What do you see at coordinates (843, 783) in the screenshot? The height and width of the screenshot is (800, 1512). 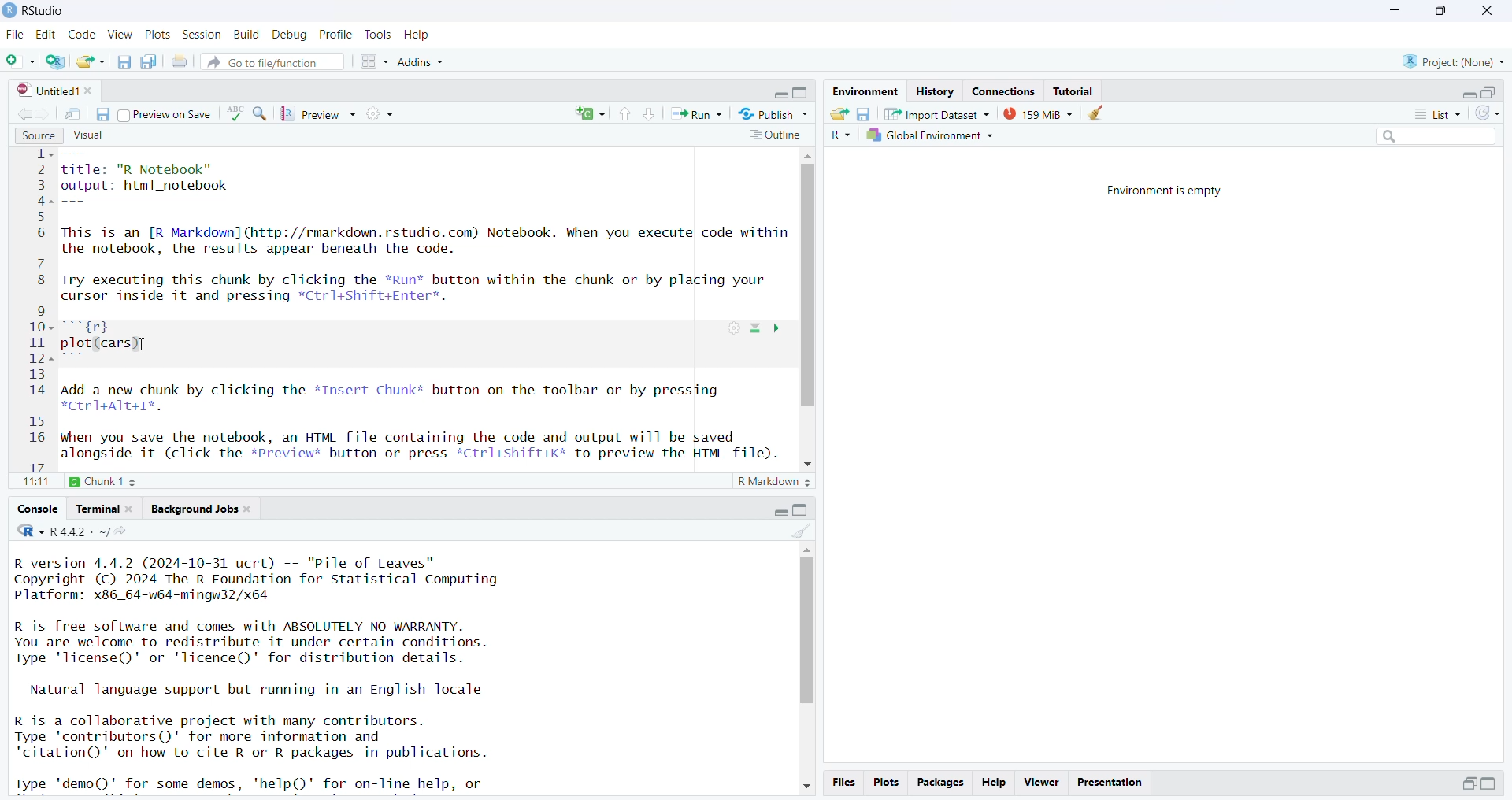 I see `files` at bounding box center [843, 783].